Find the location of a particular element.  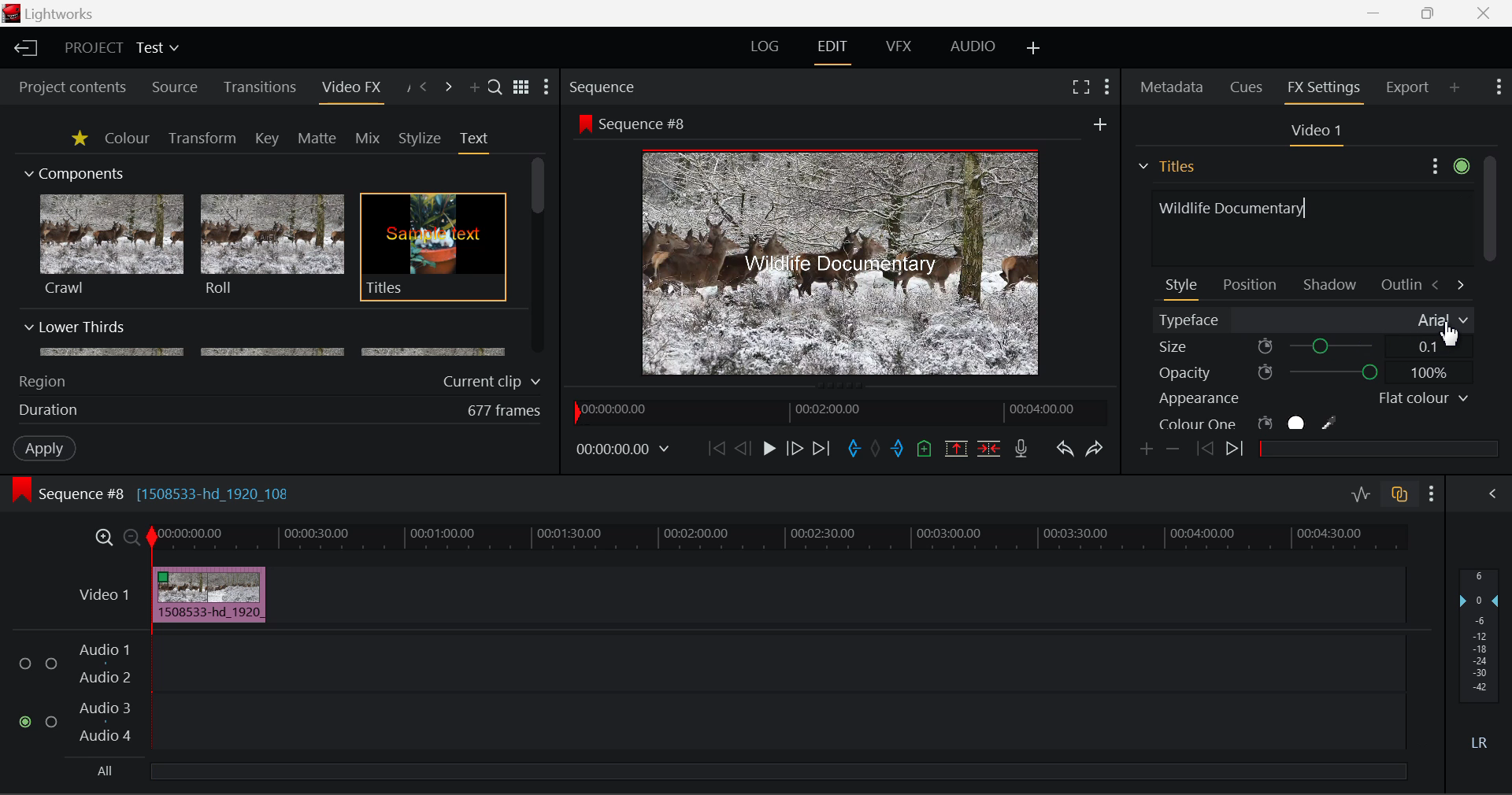

Next keyframe is located at coordinates (1237, 451).